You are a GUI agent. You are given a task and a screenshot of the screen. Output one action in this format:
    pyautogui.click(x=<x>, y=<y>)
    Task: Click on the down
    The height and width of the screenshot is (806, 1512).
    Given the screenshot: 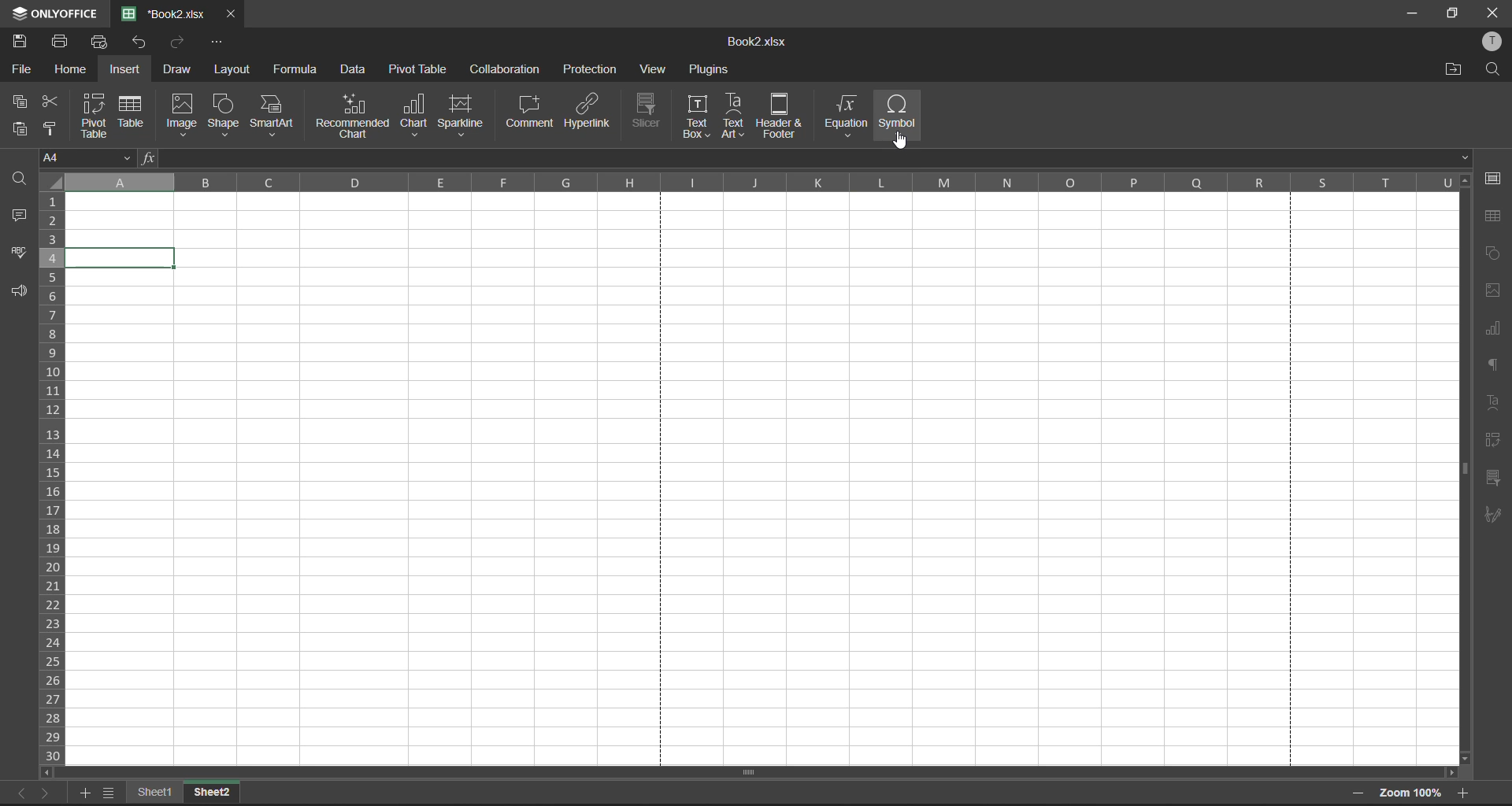 What is the action you would take?
    pyautogui.click(x=1466, y=160)
    